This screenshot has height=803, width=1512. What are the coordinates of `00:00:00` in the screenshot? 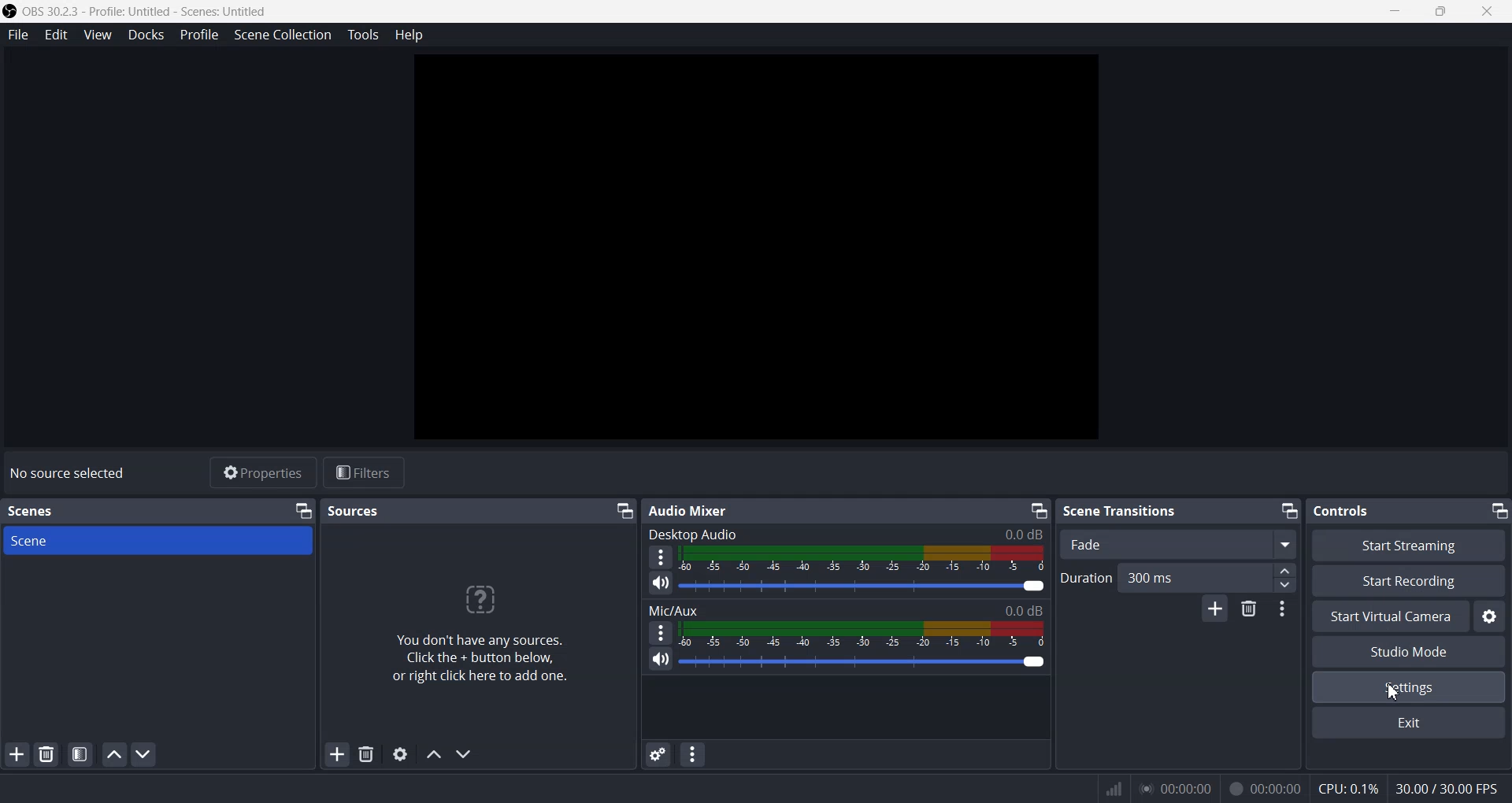 It's located at (1177, 787).